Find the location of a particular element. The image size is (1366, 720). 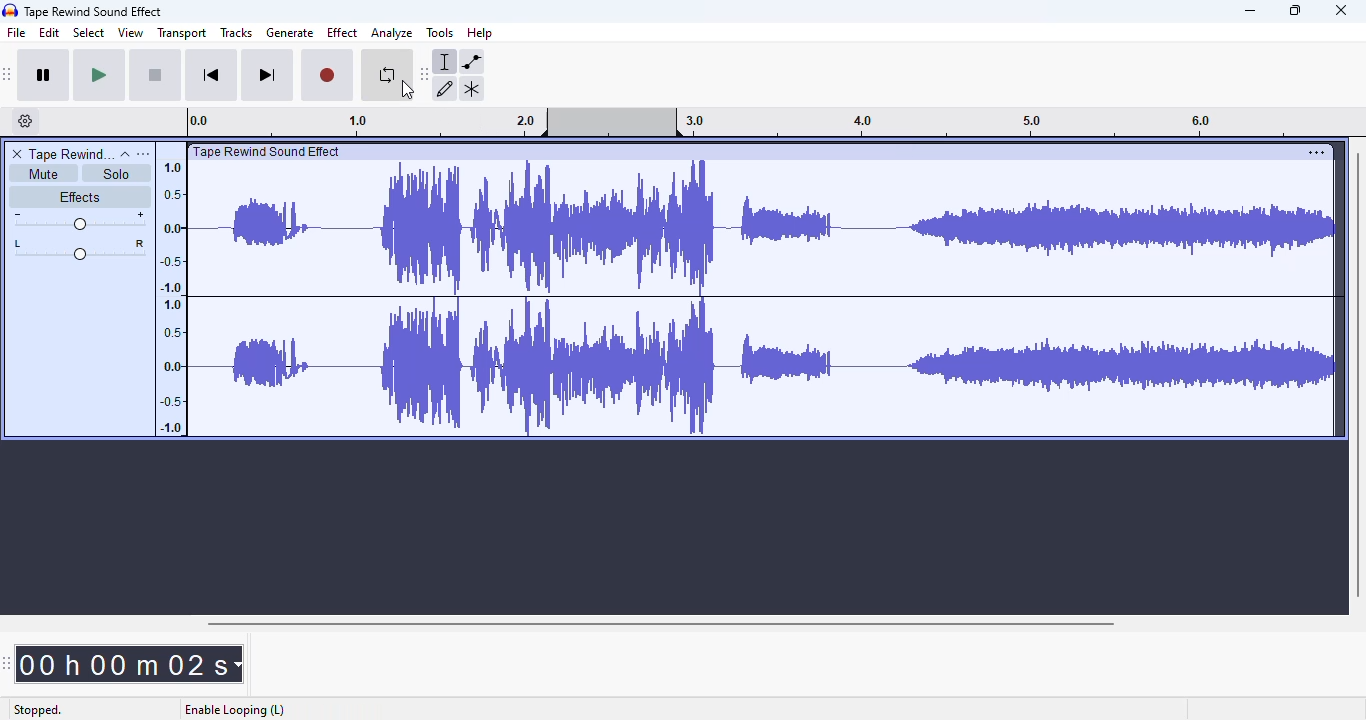

settings is located at coordinates (1316, 152).